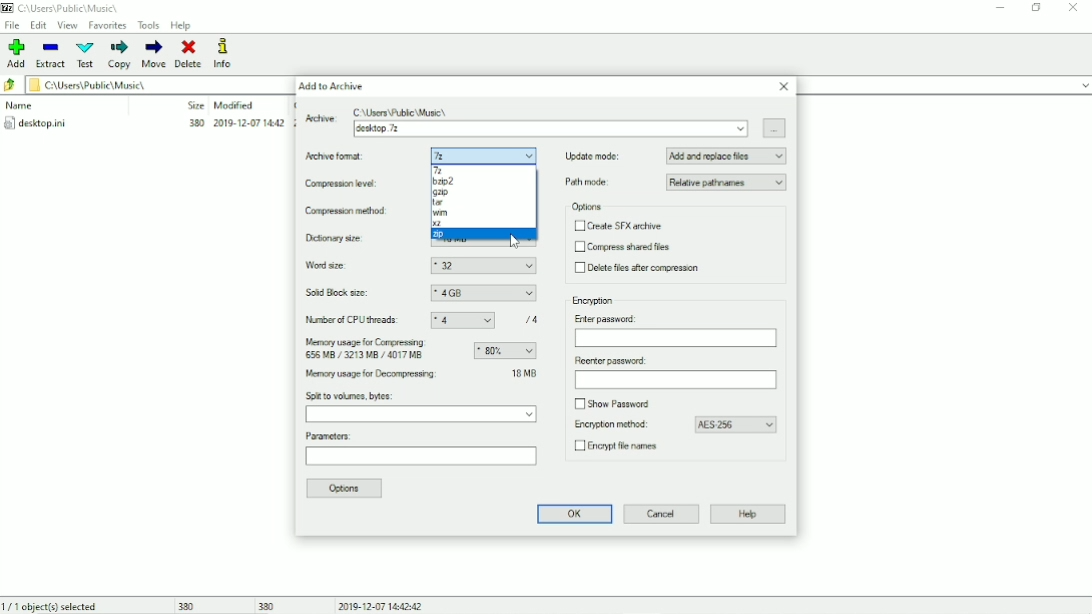  I want to click on Encryption, so click(595, 301).